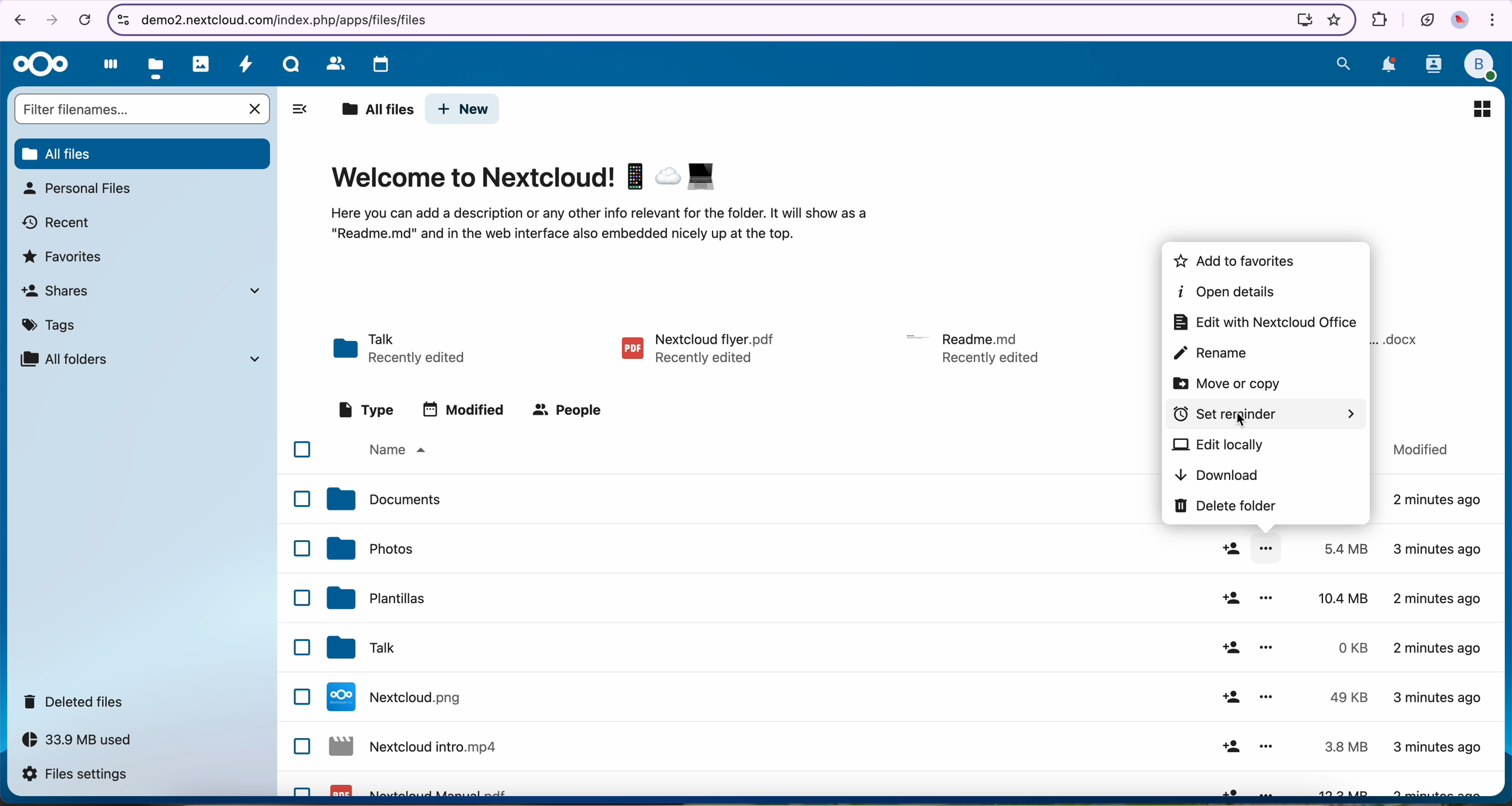 The image size is (1512, 806). What do you see at coordinates (1346, 747) in the screenshot?
I see `3.8` at bounding box center [1346, 747].